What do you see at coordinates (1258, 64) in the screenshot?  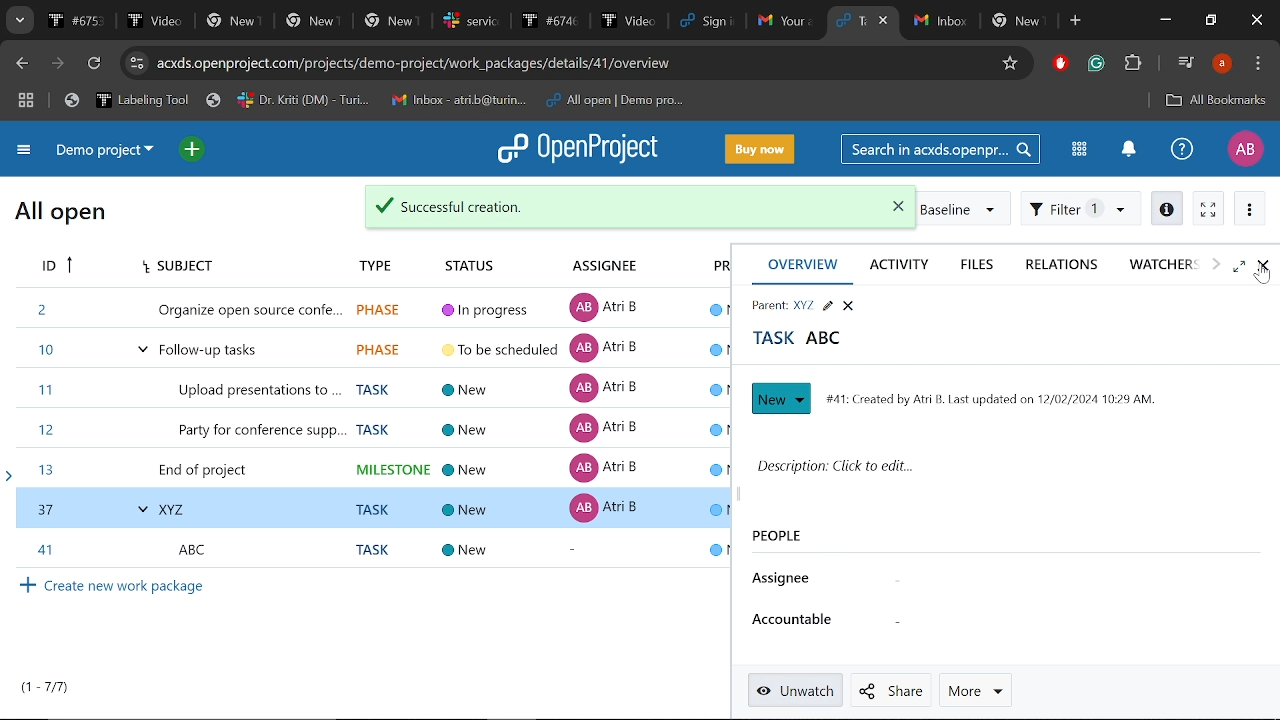 I see `Customize and control chrome` at bounding box center [1258, 64].